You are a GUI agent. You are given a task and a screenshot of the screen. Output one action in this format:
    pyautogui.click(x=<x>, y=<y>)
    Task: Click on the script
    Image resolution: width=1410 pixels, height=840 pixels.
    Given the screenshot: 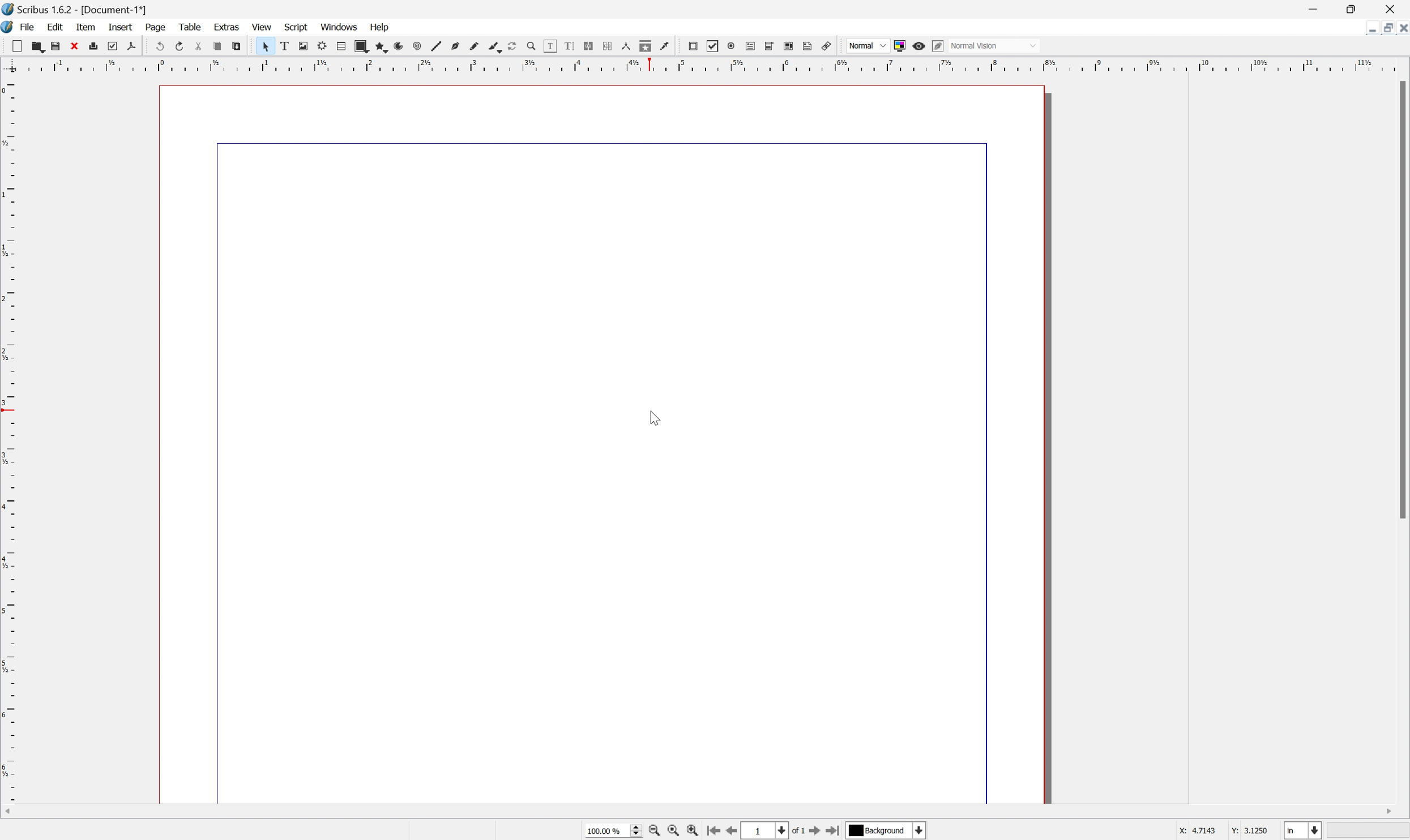 What is the action you would take?
    pyautogui.click(x=297, y=27)
    